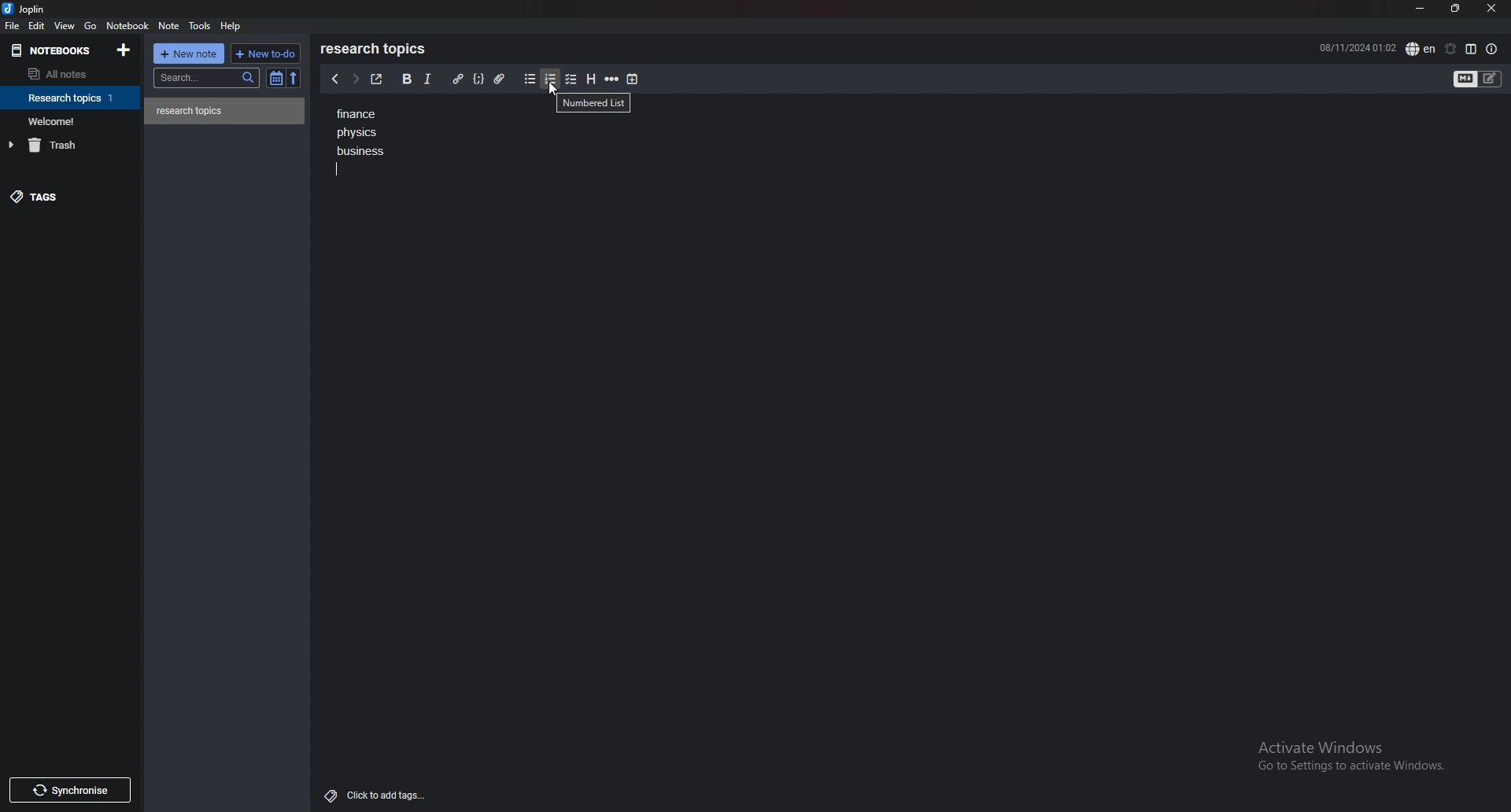 The width and height of the screenshot is (1511, 812). I want to click on search bar, so click(208, 77).